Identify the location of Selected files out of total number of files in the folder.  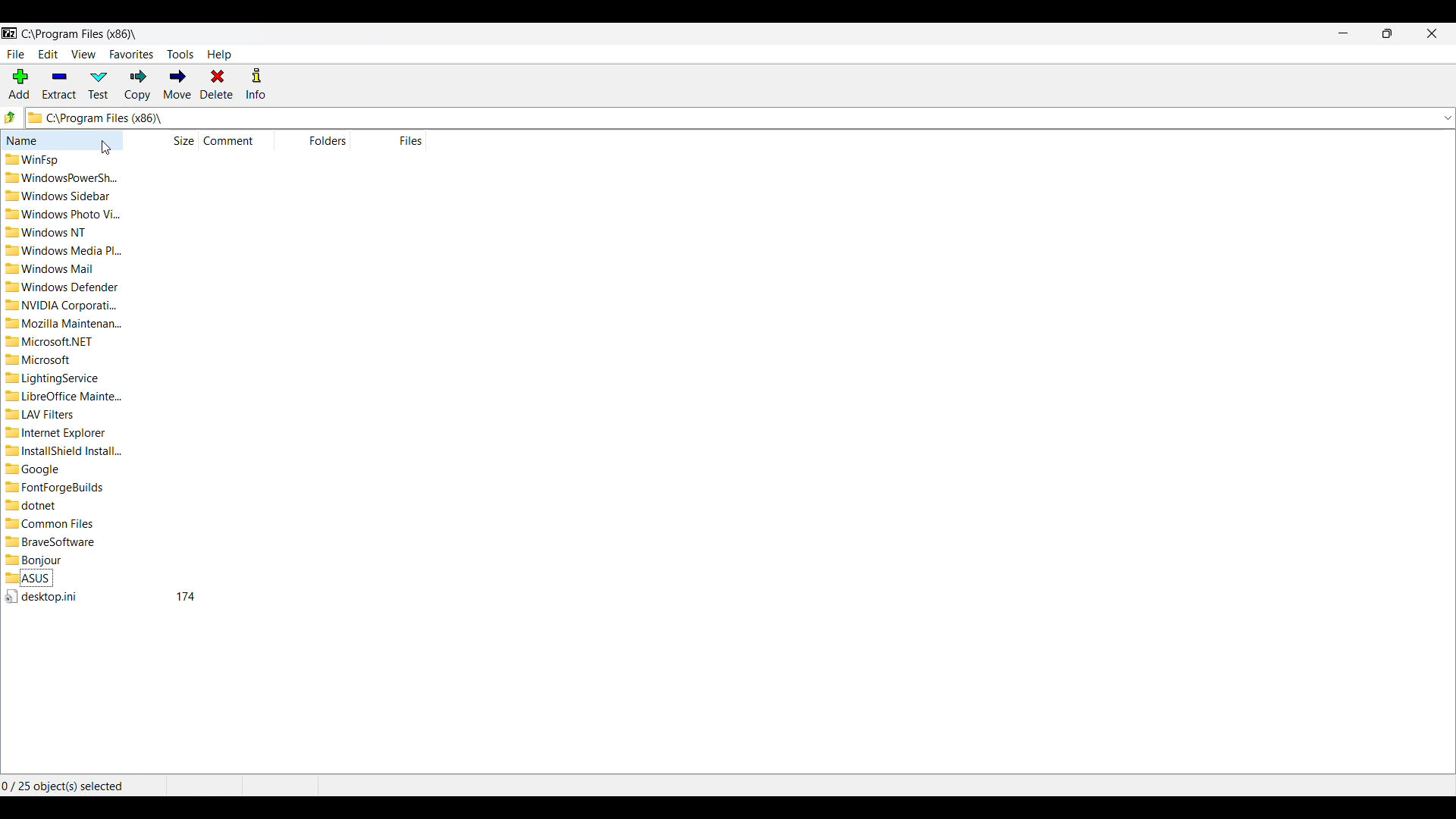
(83, 786).